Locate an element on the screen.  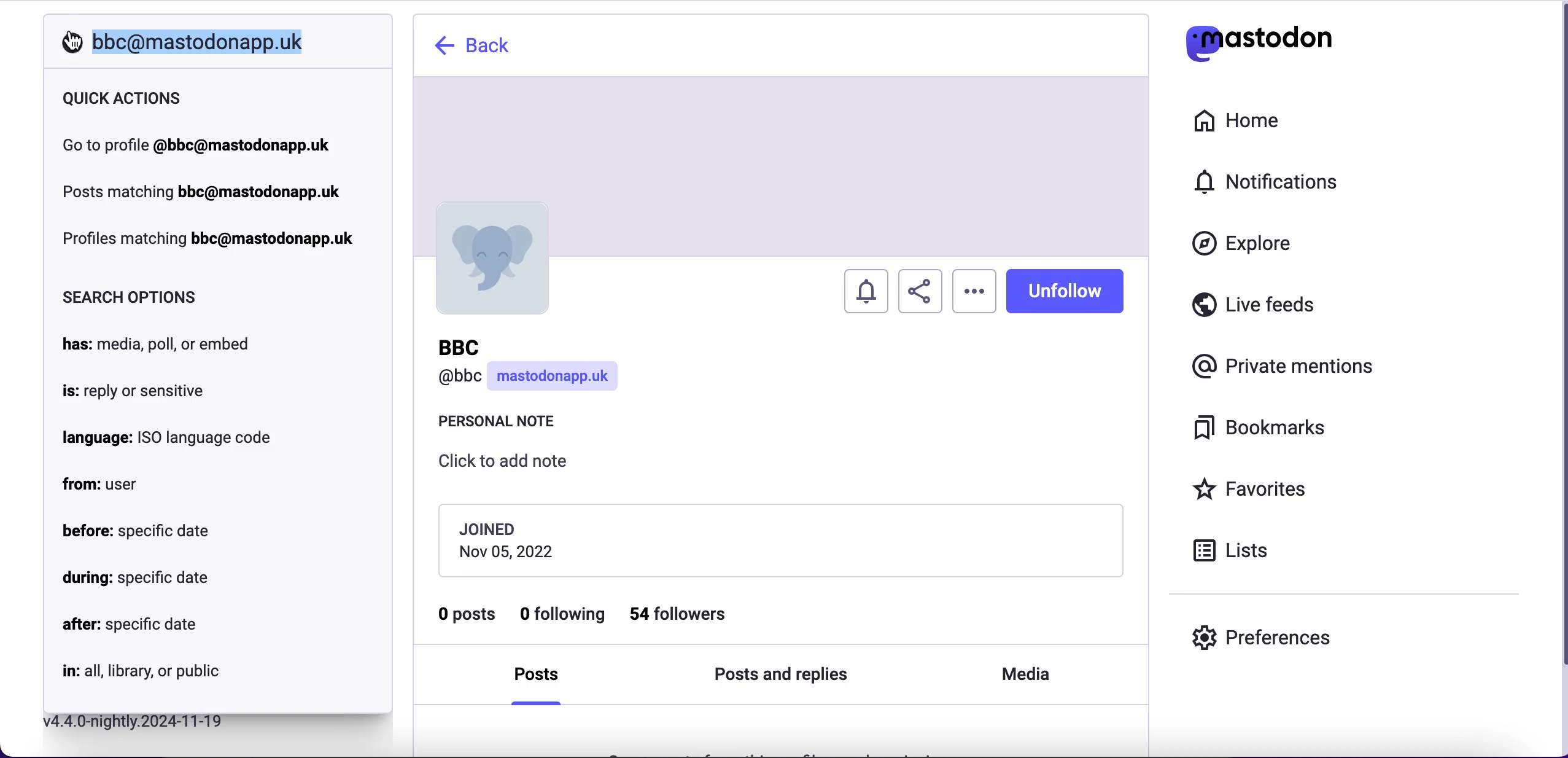
post matching is located at coordinates (201, 190).